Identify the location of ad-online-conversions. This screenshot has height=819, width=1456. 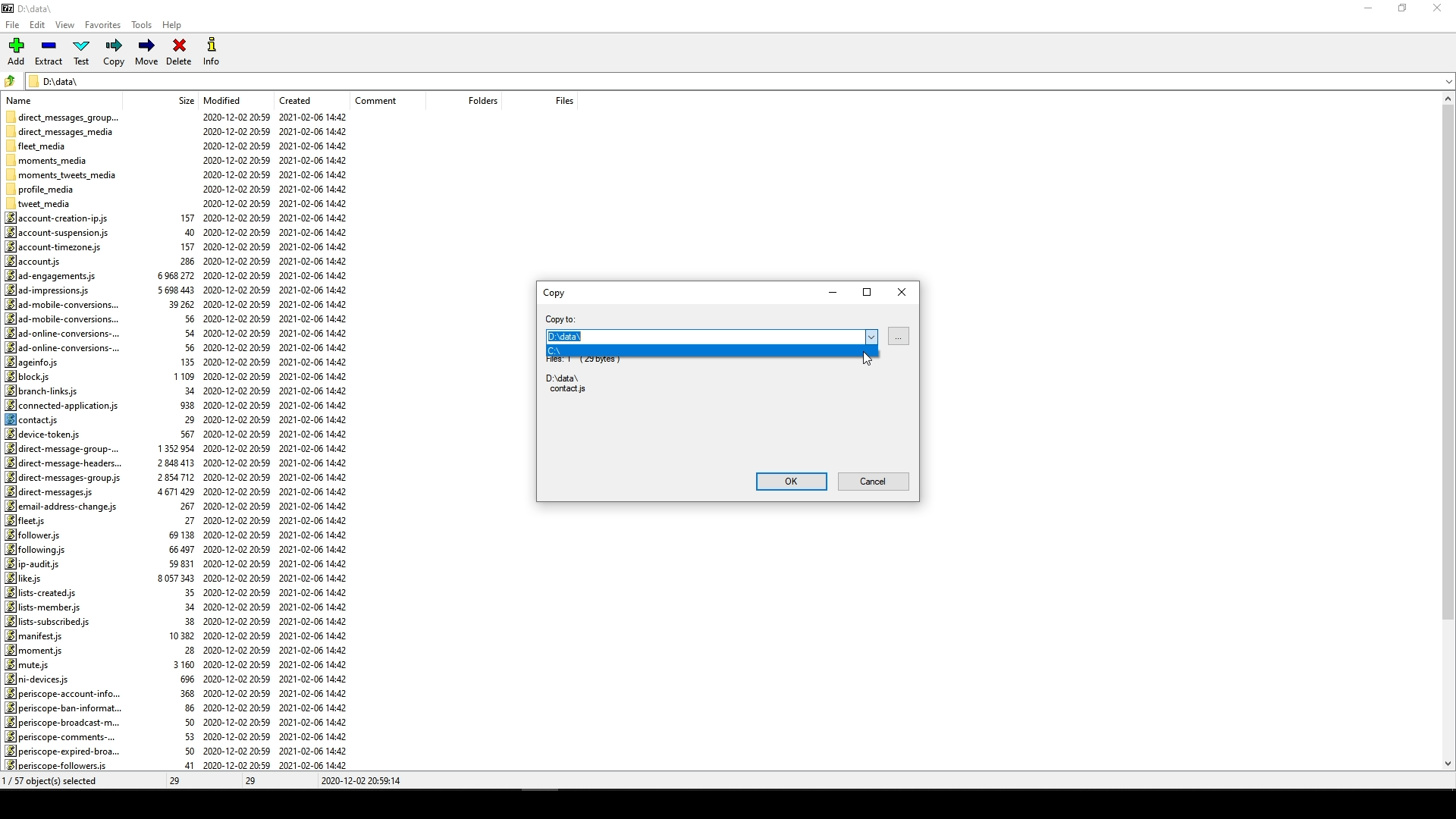
(61, 347).